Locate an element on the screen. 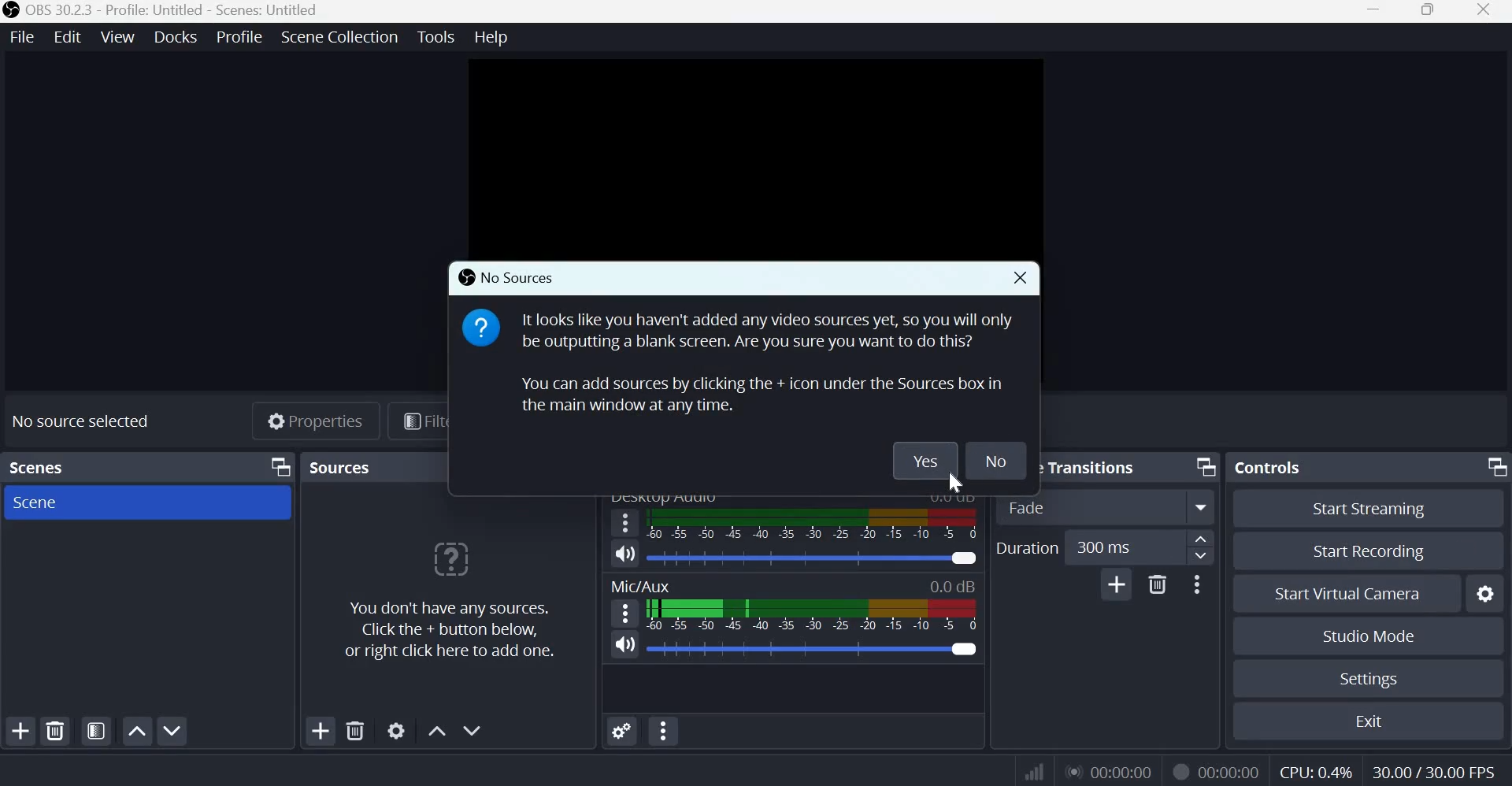 Image resolution: width=1512 pixels, height=786 pixels. CPU Usage is located at coordinates (1317, 769).